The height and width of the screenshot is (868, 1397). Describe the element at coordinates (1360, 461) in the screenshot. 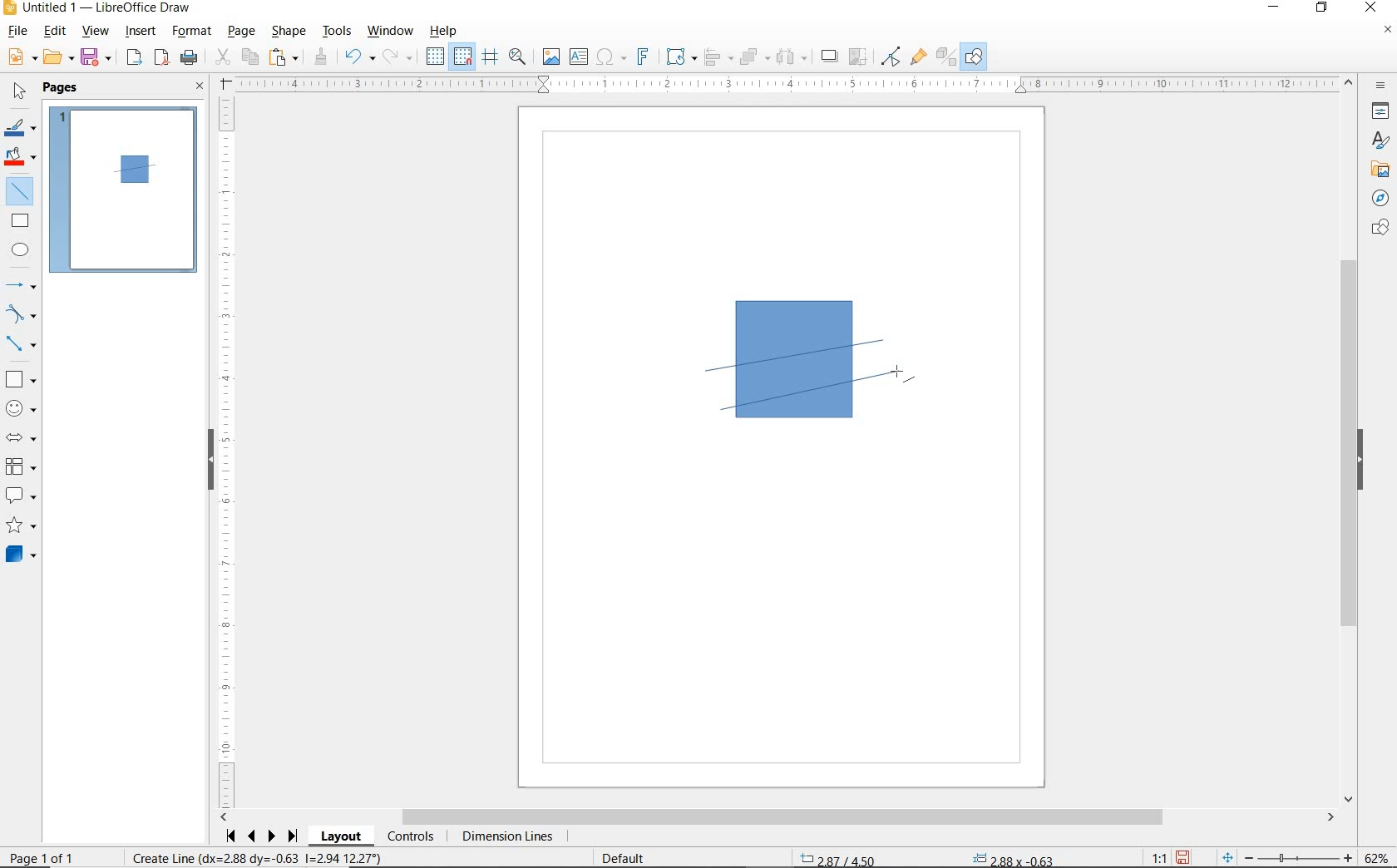

I see `HIDE` at that location.